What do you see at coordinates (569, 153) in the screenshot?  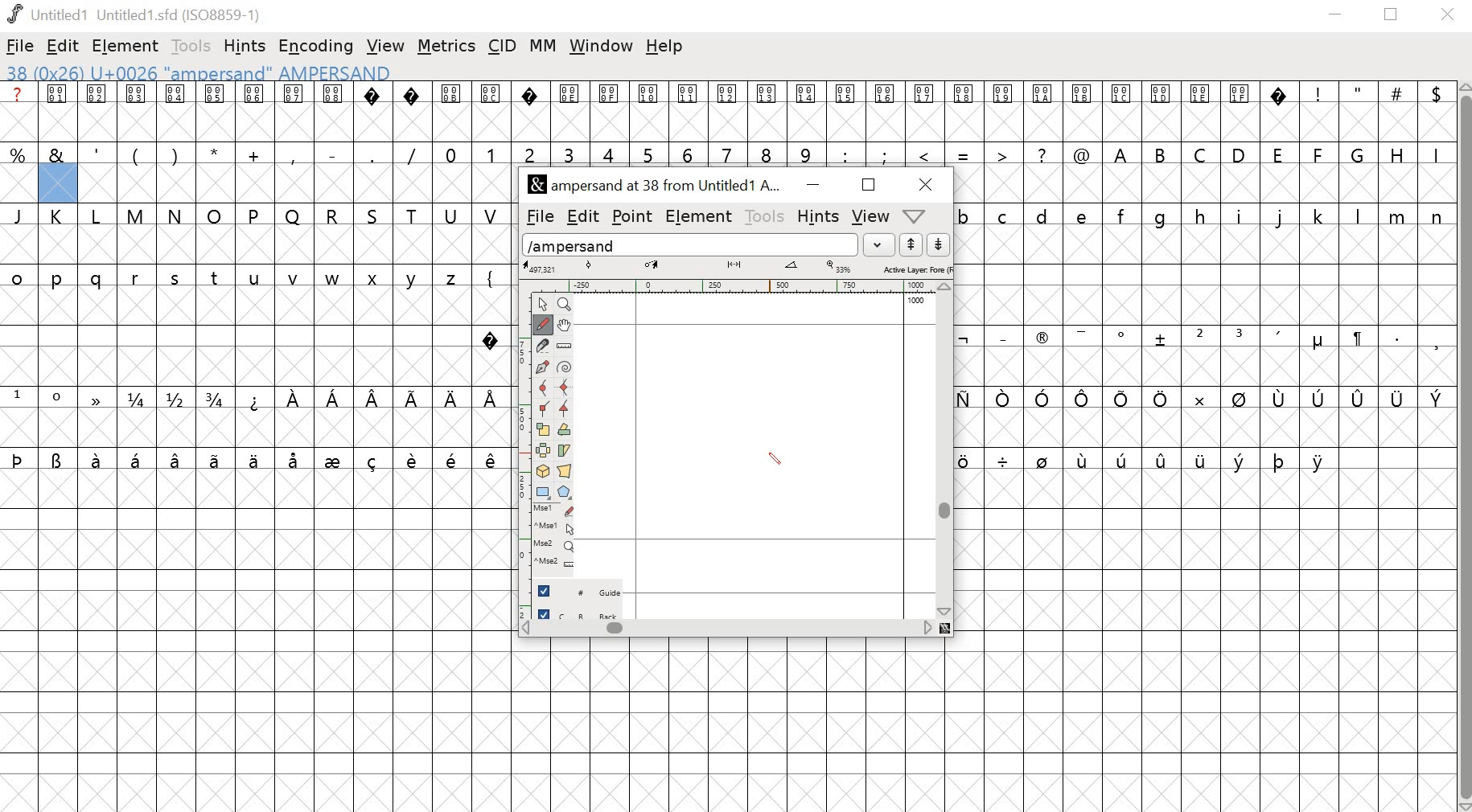 I see `3` at bounding box center [569, 153].